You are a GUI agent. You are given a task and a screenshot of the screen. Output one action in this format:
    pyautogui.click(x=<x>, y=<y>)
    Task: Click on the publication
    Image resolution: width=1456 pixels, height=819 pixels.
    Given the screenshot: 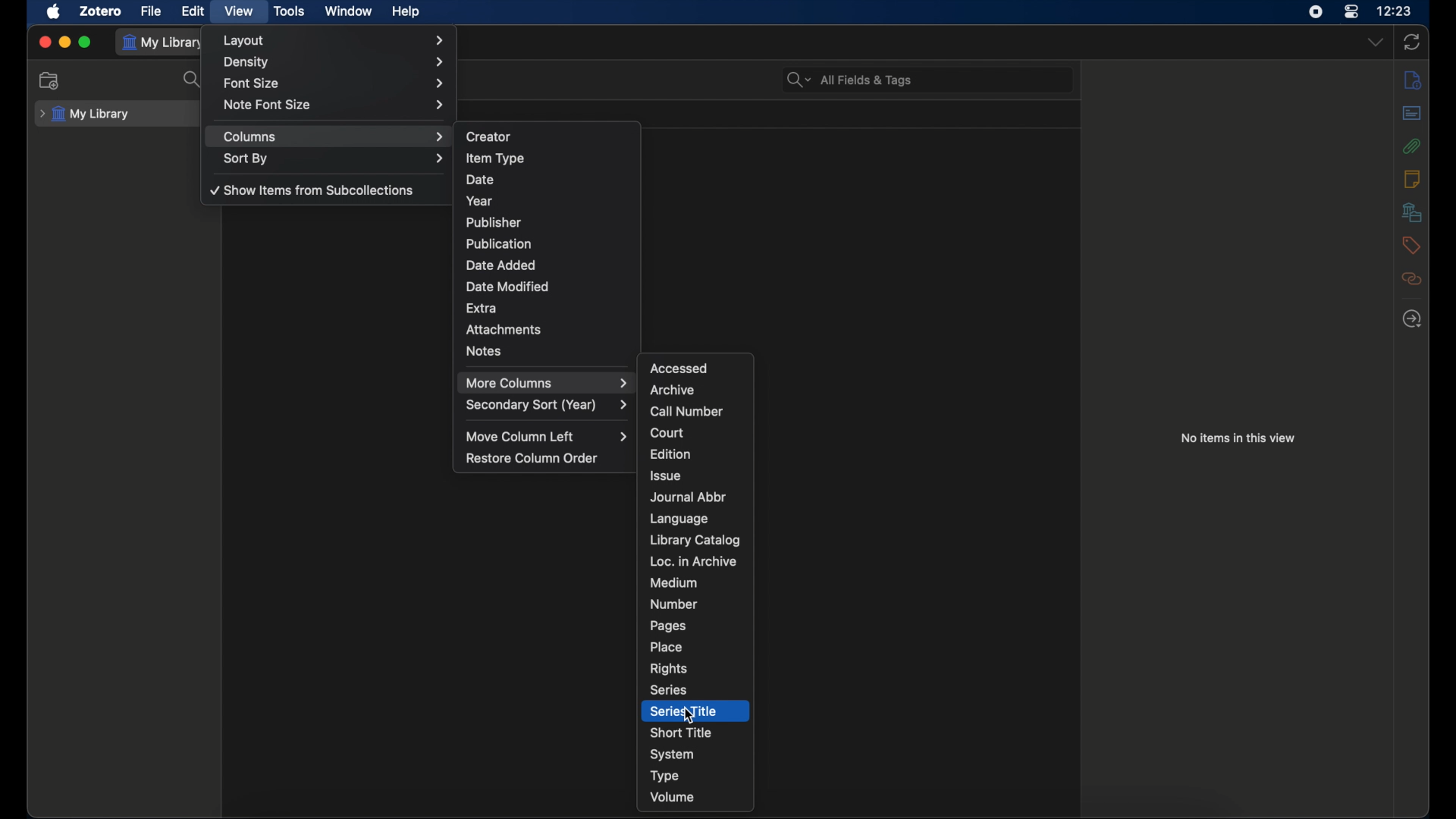 What is the action you would take?
    pyautogui.click(x=499, y=243)
    